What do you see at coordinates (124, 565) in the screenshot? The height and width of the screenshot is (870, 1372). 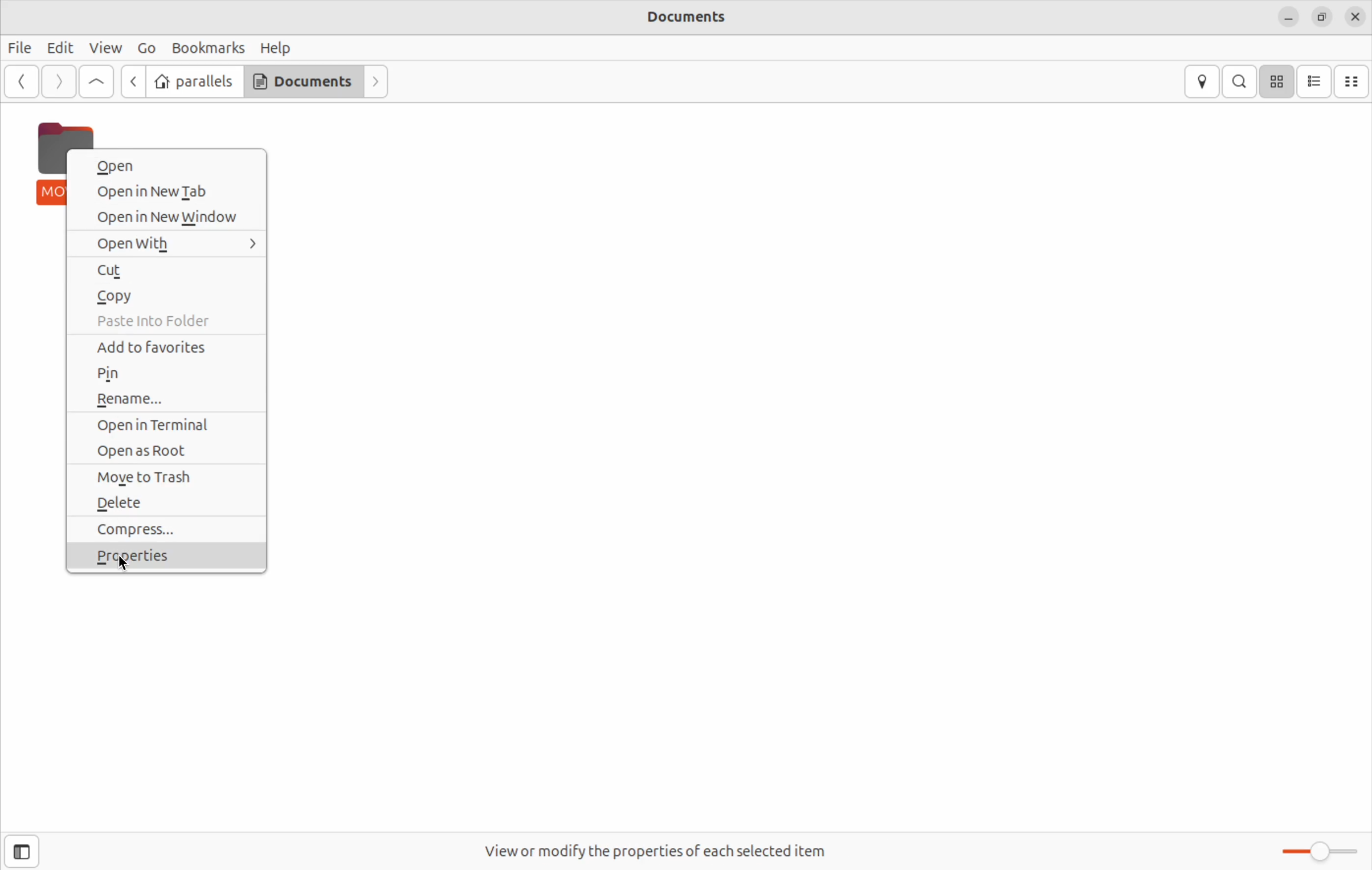 I see `cursor` at bounding box center [124, 565].